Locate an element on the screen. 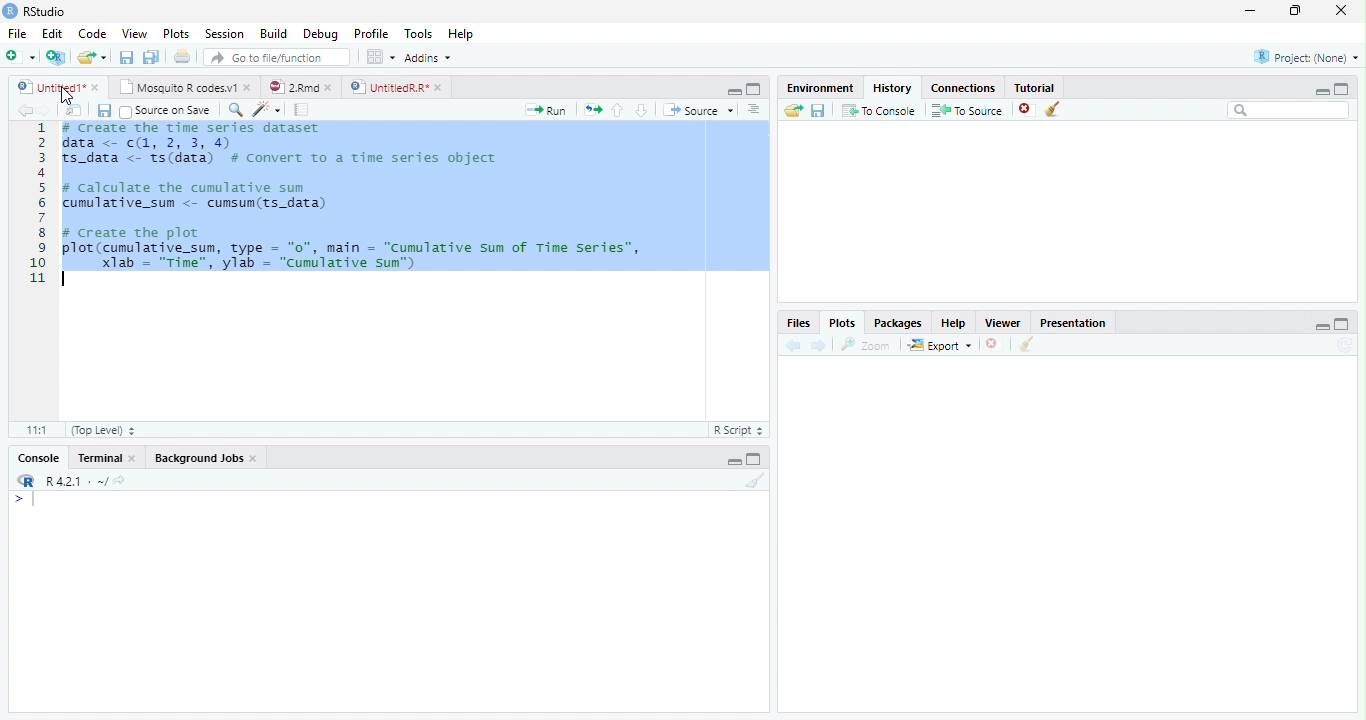 This screenshot has height=720, width=1366. Top level is located at coordinates (104, 431).